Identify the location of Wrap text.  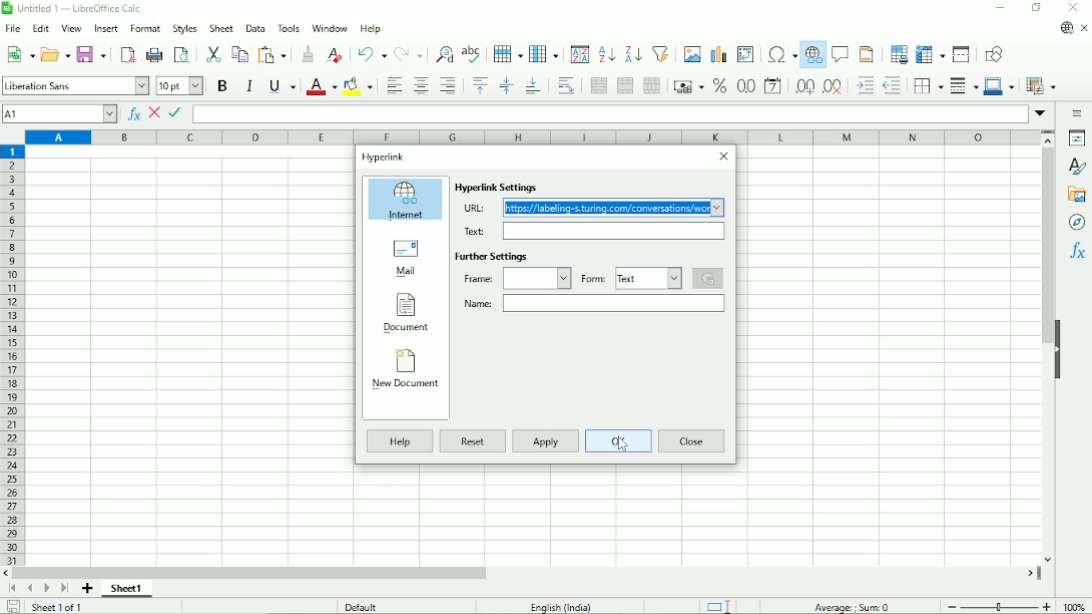
(567, 85).